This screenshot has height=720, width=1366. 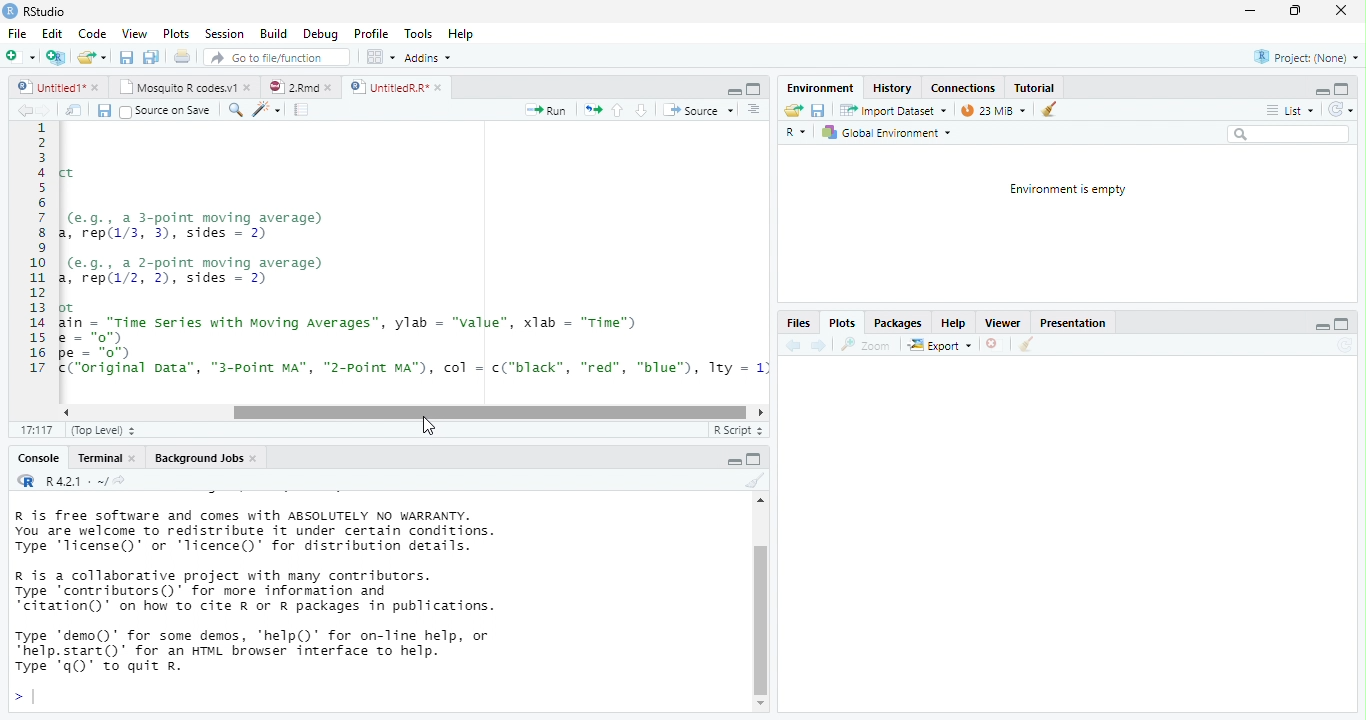 What do you see at coordinates (758, 413) in the screenshot?
I see `scrollbar right` at bounding box center [758, 413].